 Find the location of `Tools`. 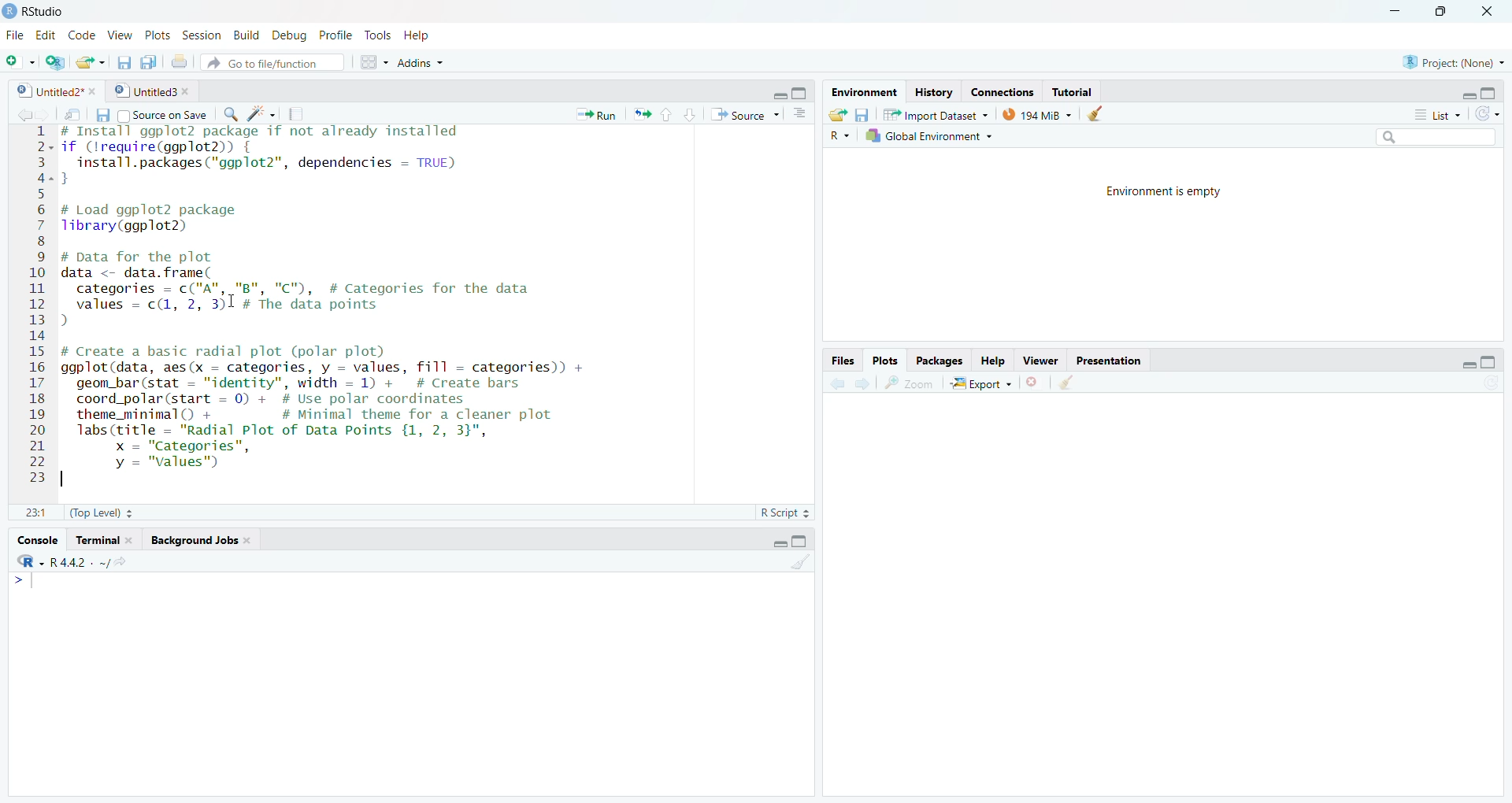

Tools is located at coordinates (376, 35).